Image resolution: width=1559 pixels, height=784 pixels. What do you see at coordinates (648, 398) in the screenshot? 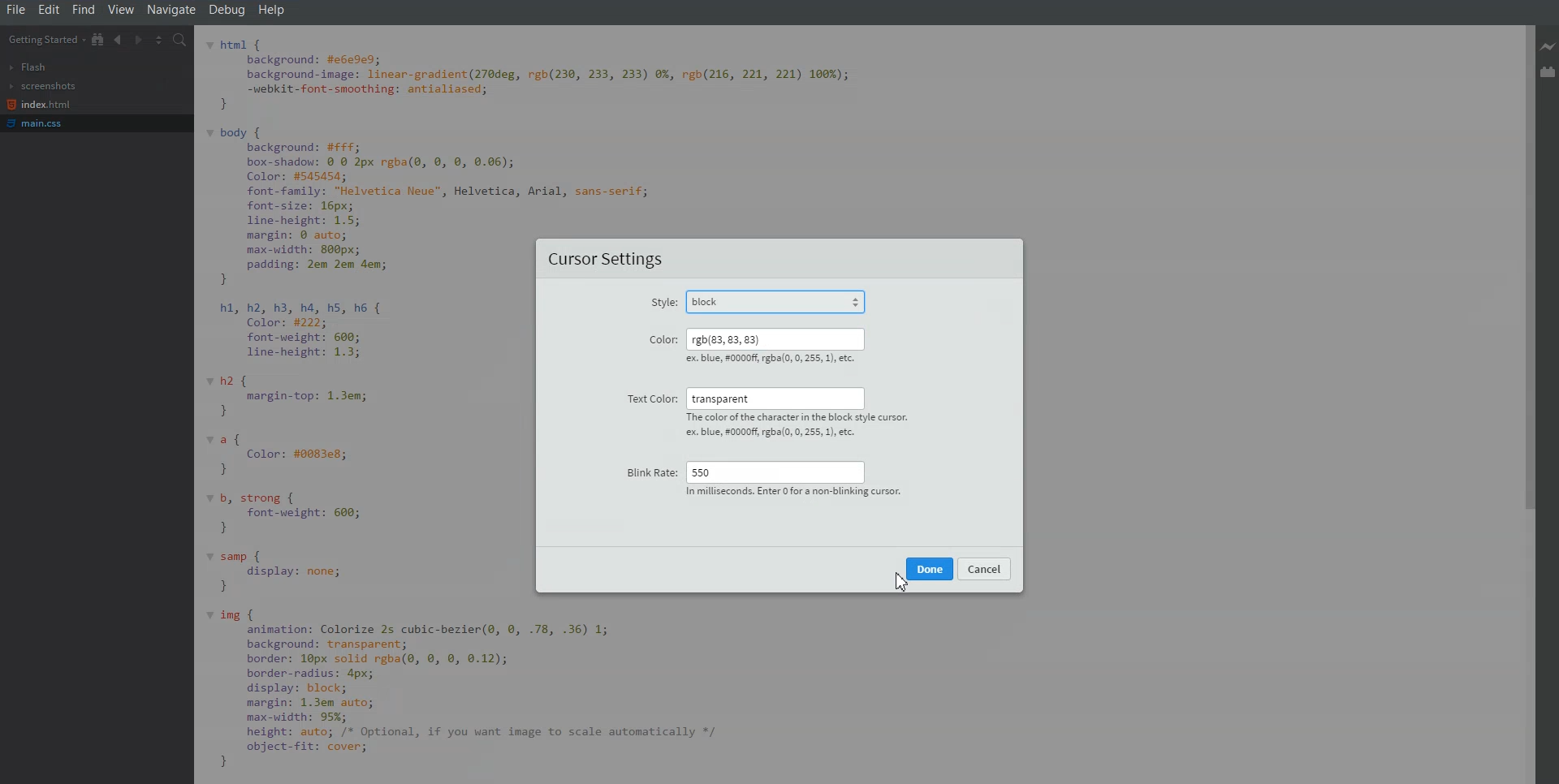
I see `Text Color` at bounding box center [648, 398].